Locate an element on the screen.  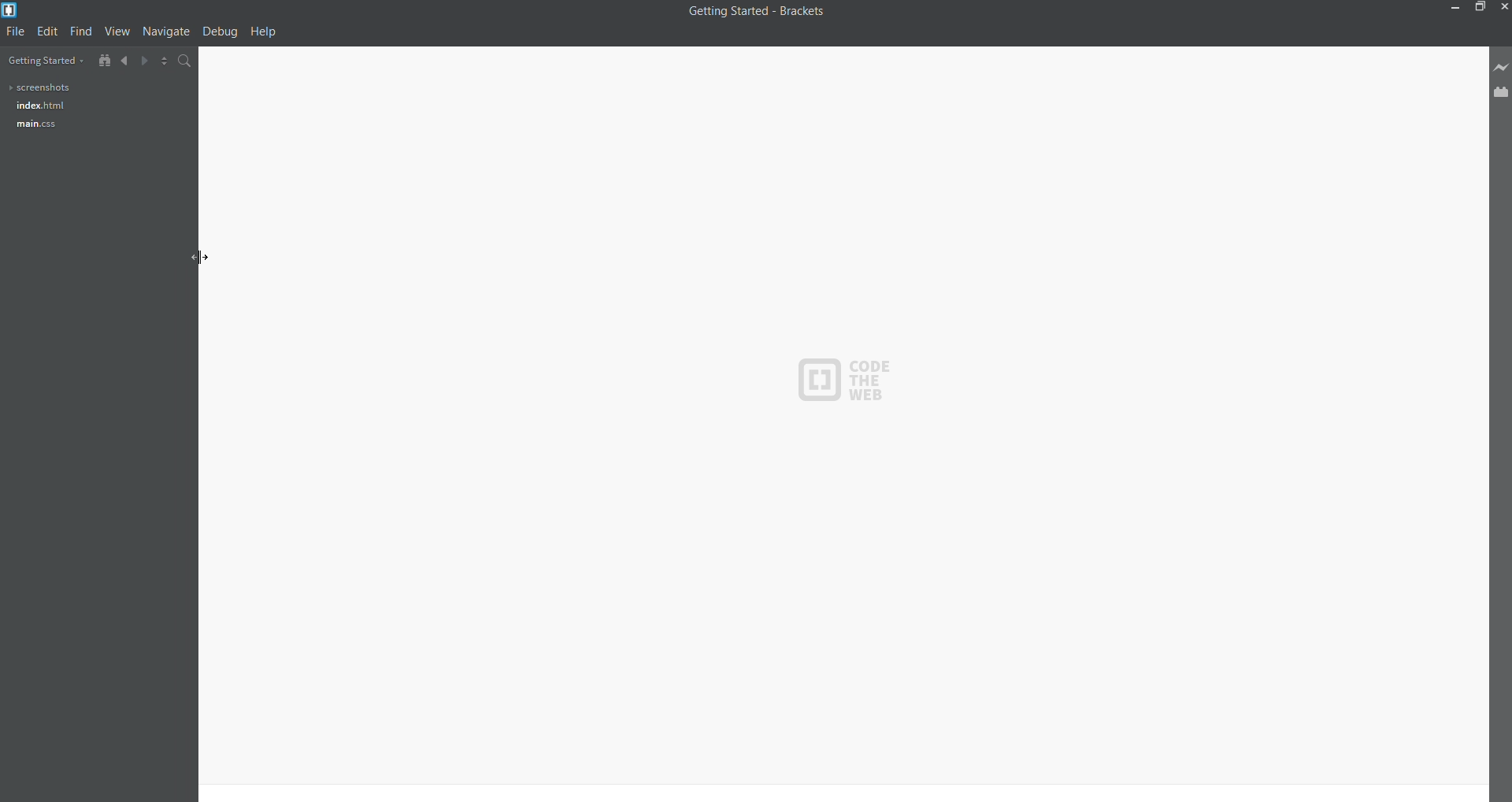
close is located at coordinates (1503, 7).